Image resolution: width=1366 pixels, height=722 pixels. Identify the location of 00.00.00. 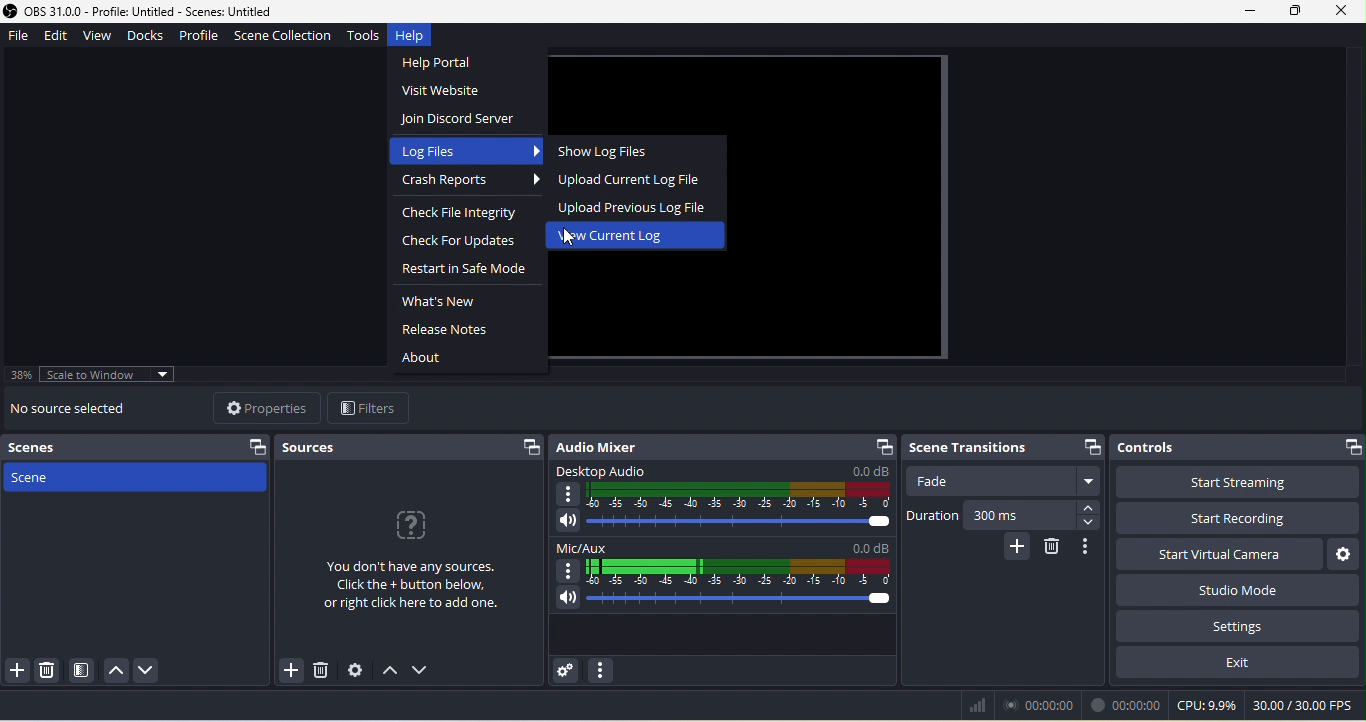
(1127, 705).